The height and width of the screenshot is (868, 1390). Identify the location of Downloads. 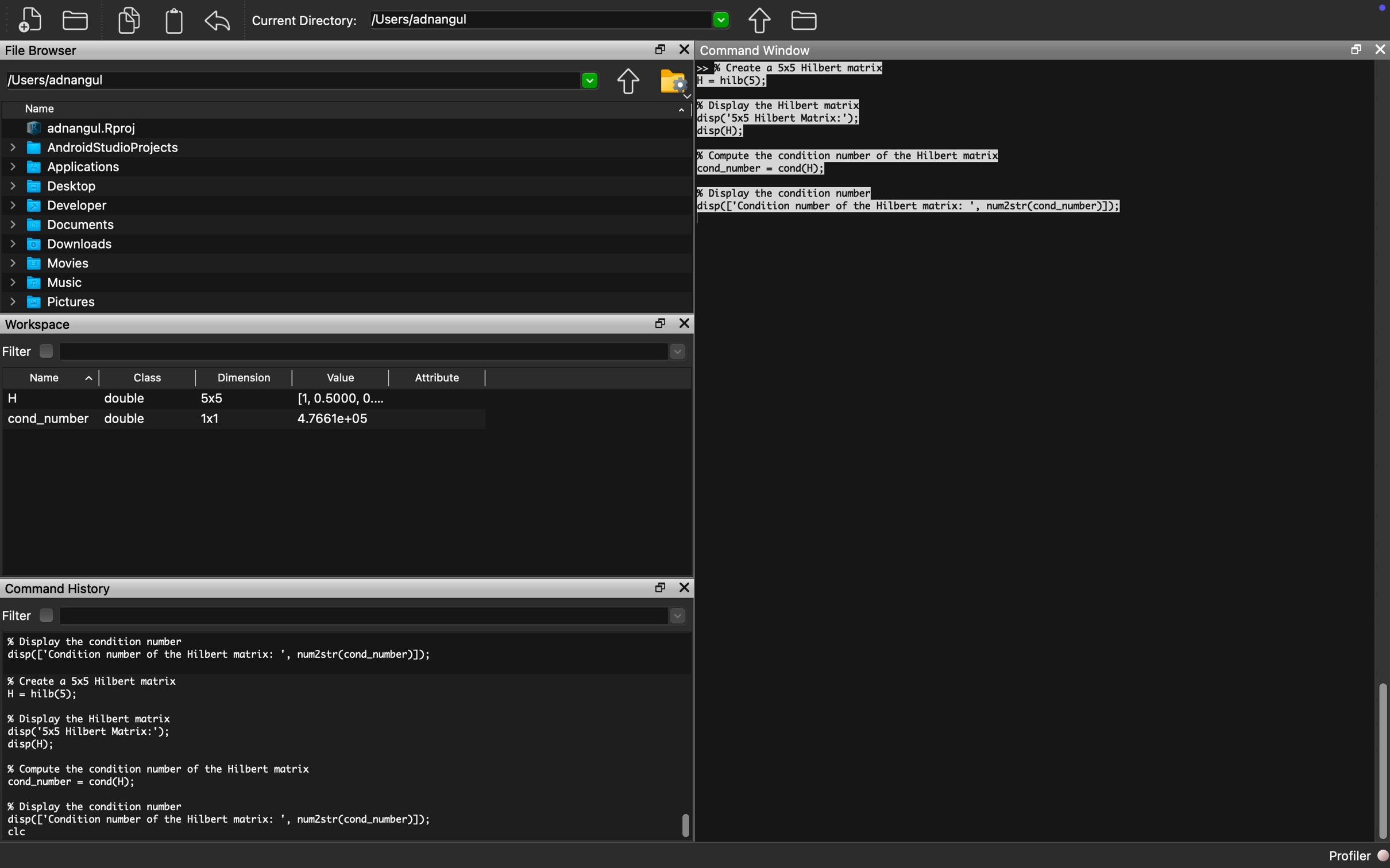
(61, 243).